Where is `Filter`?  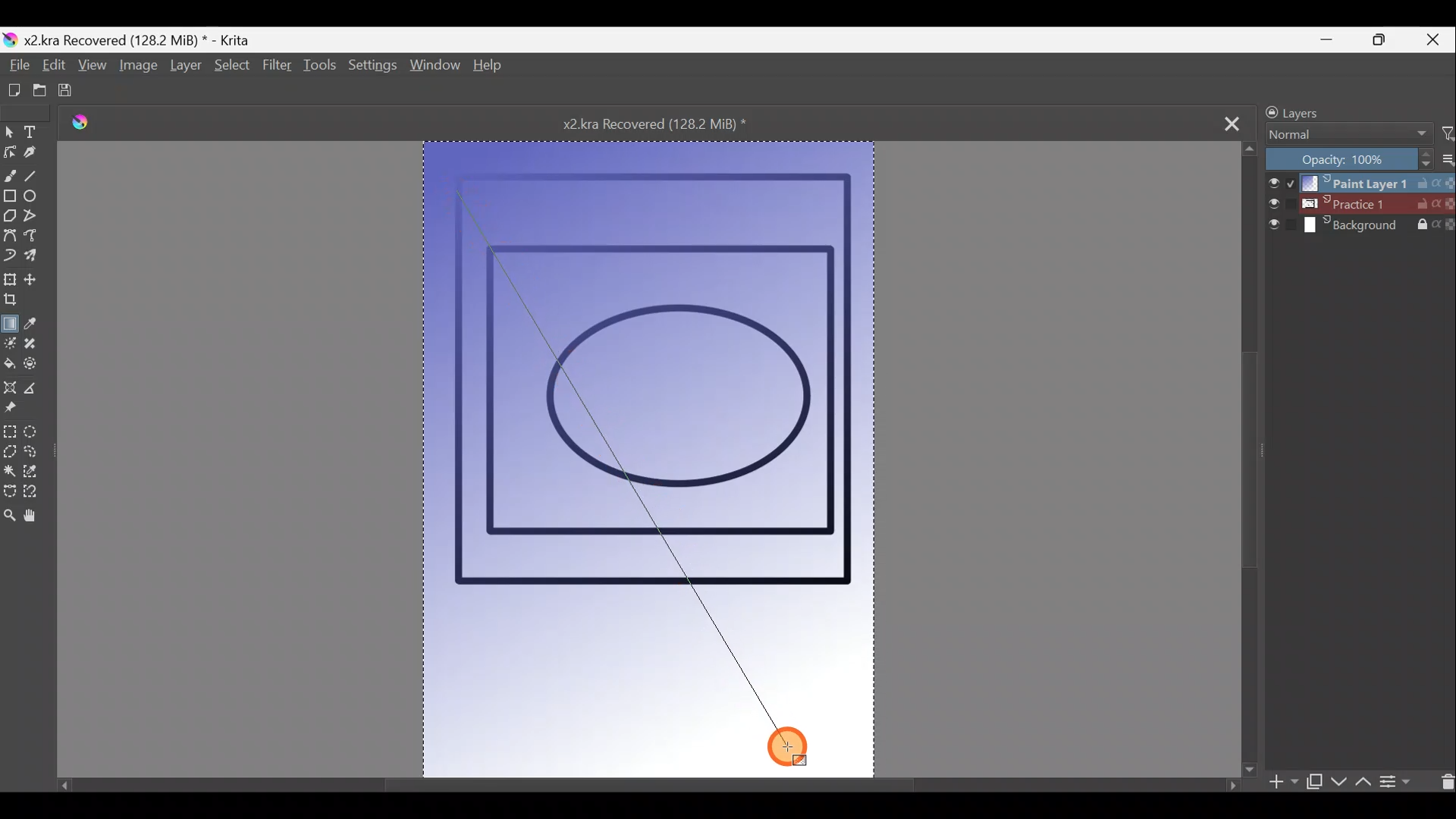
Filter is located at coordinates (277, 73).